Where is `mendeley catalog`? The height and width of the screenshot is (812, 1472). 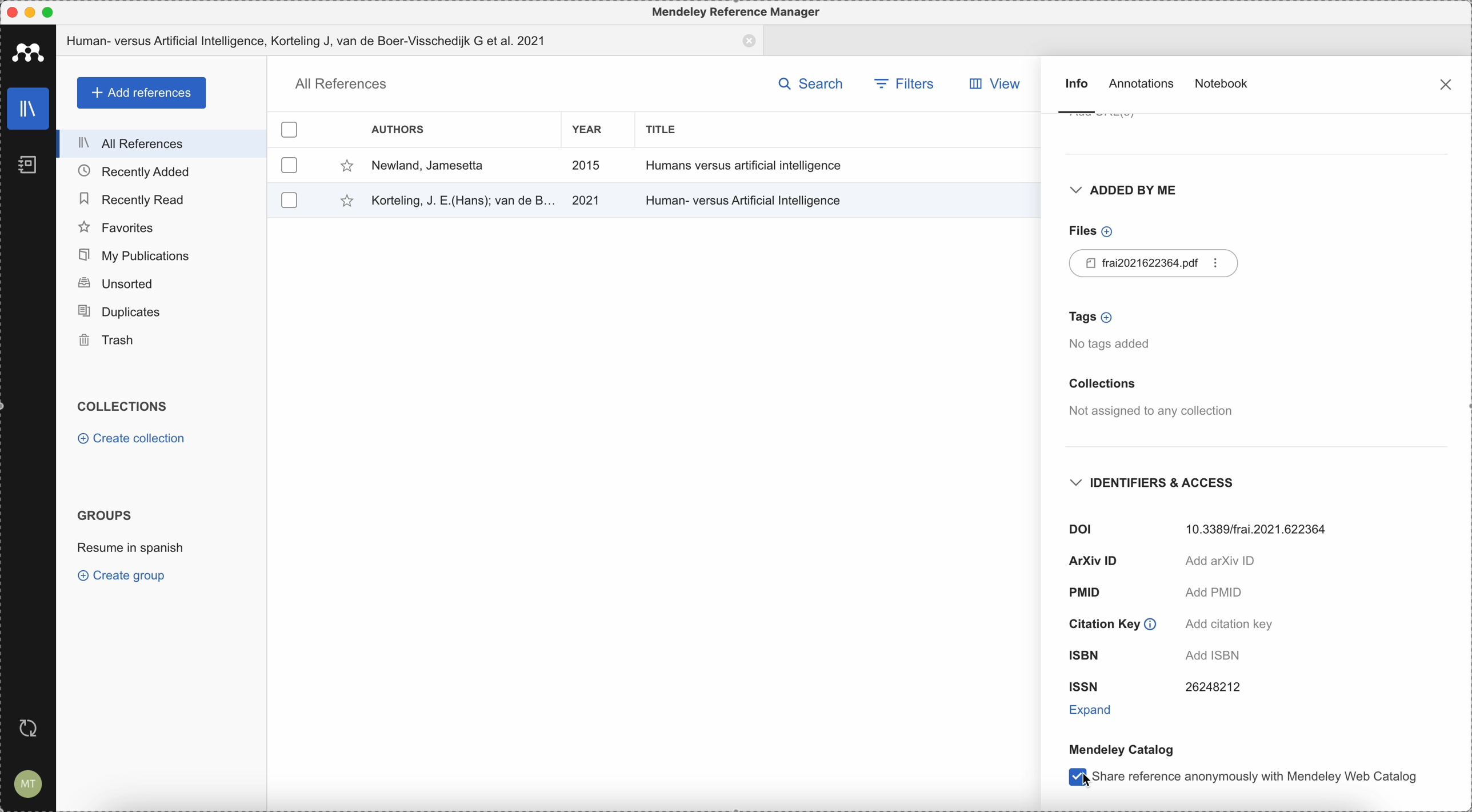
mendeley catalog is located at coordinates (1120, 749).